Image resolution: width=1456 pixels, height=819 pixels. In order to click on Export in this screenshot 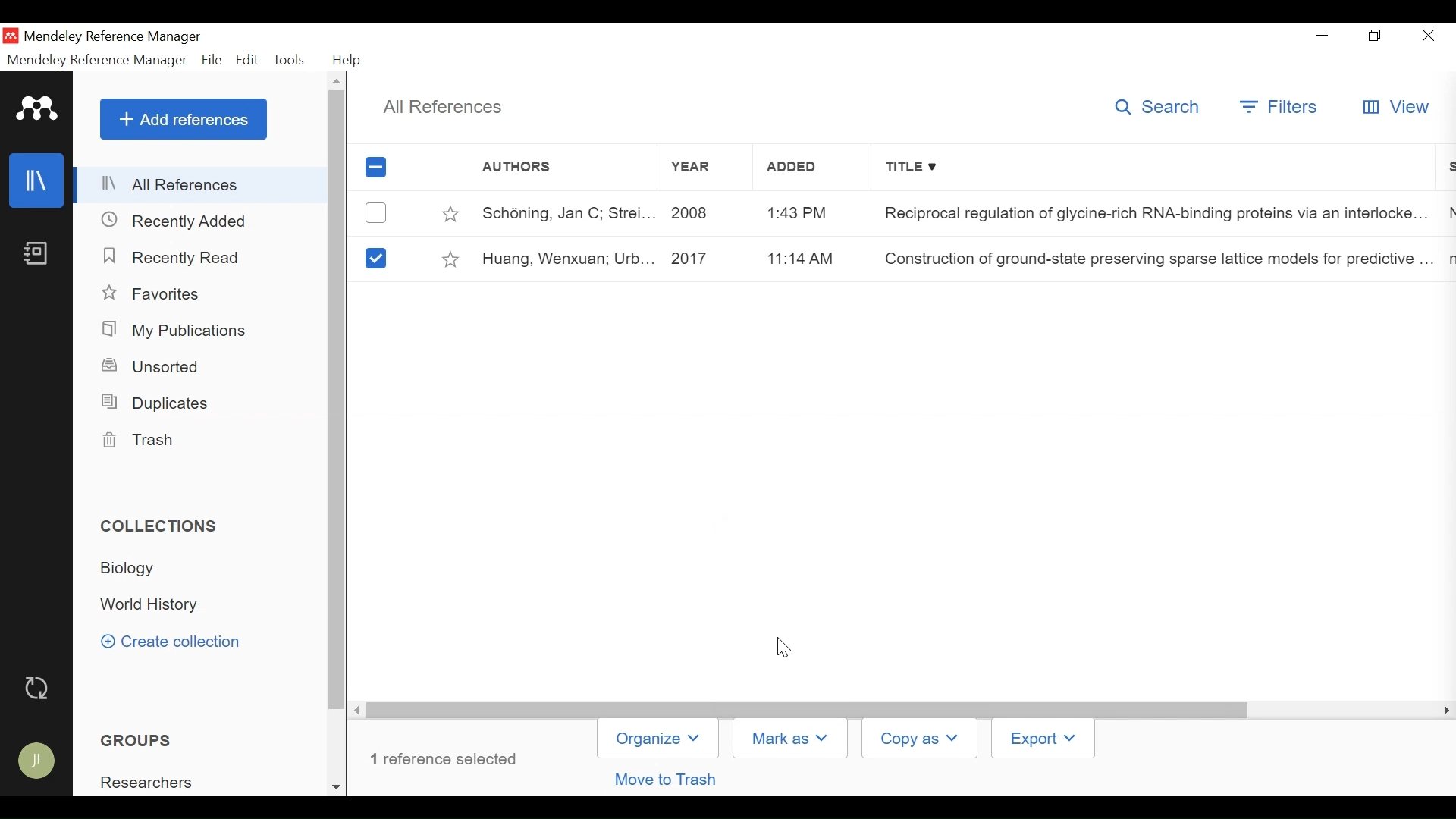, I will do `click(1046, 738)`.